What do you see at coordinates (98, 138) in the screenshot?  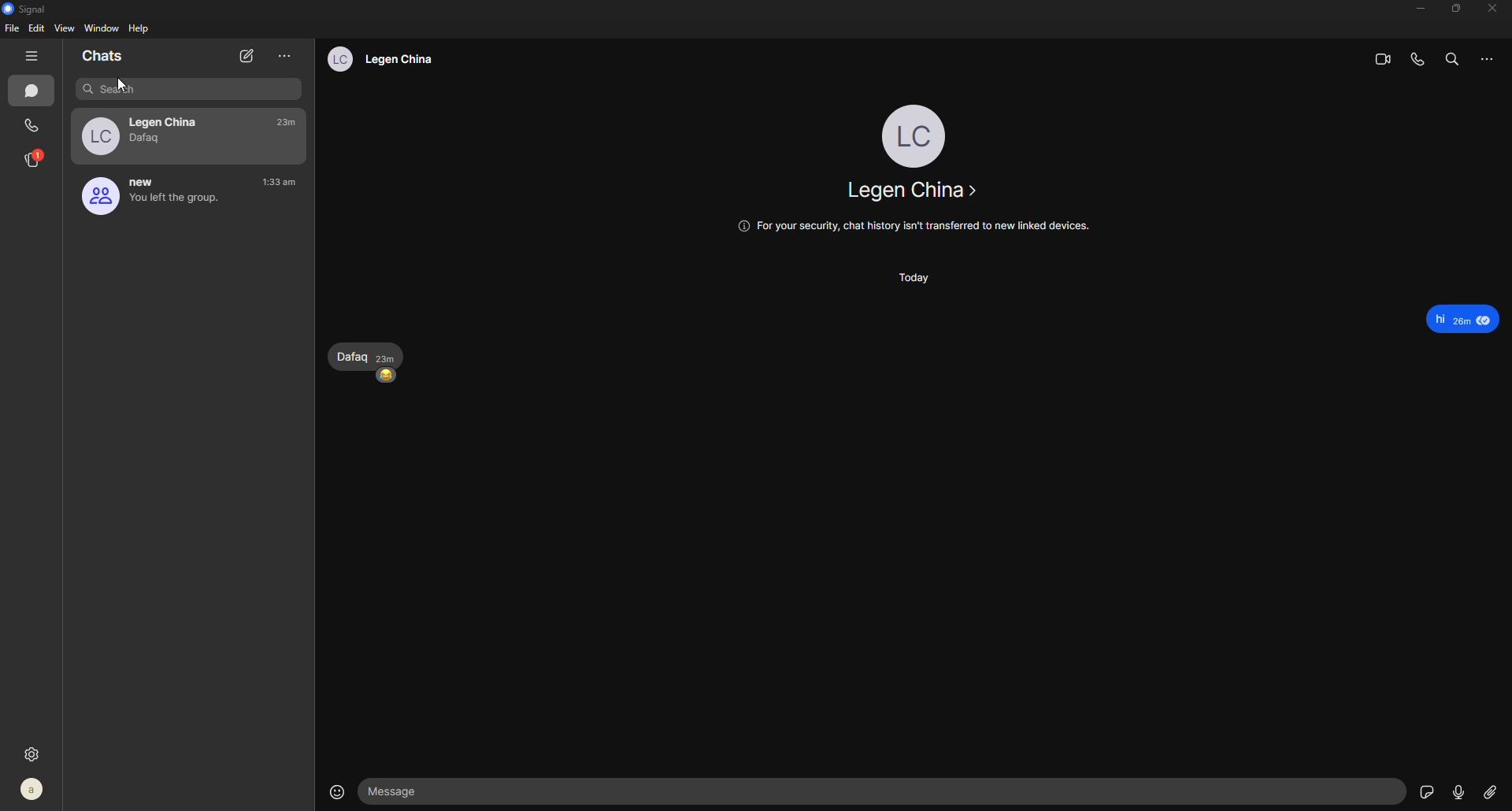 I see `lc profile` at bounding box center [98, 138].